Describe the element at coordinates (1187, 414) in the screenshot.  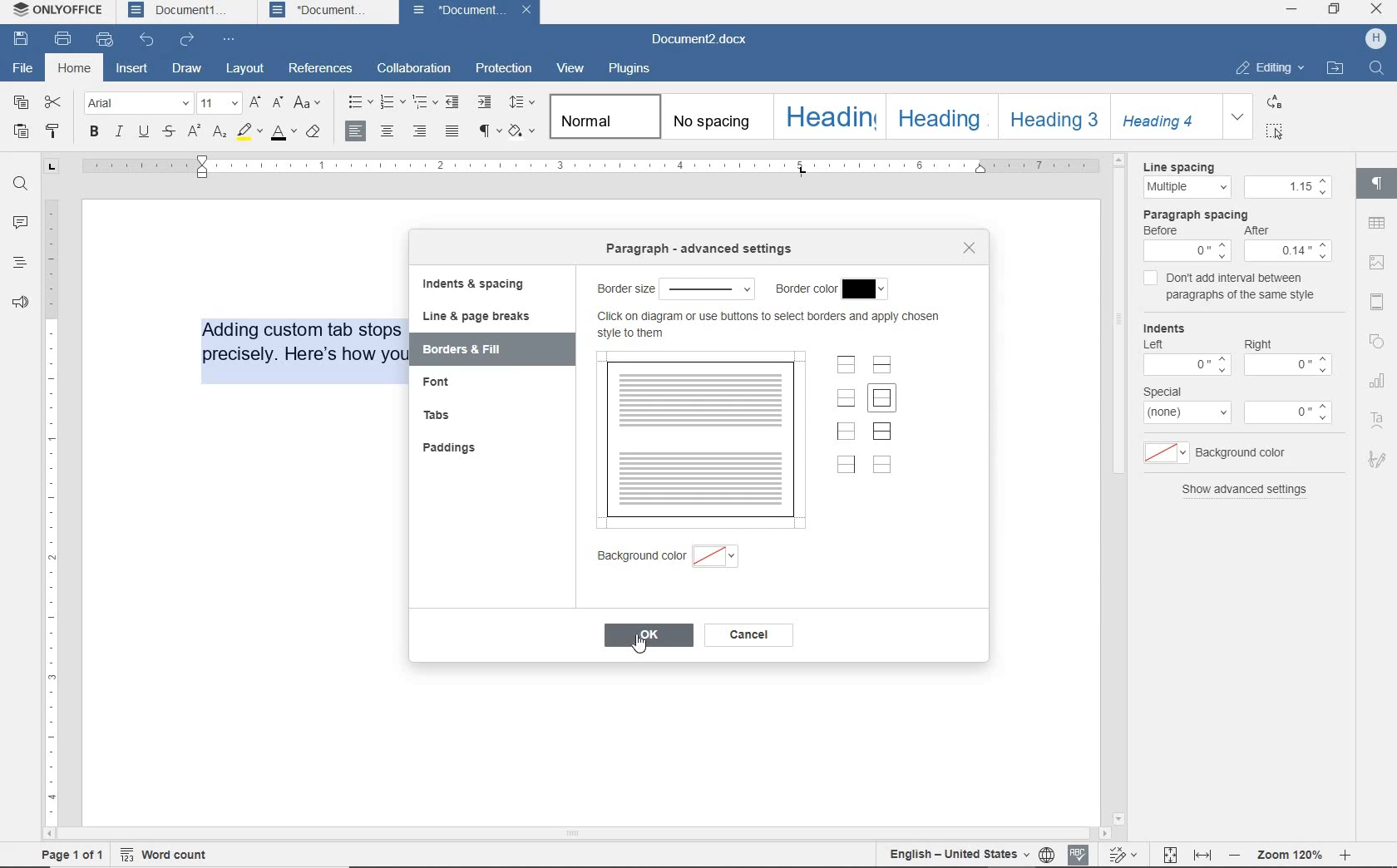
I see `menu` at that location.